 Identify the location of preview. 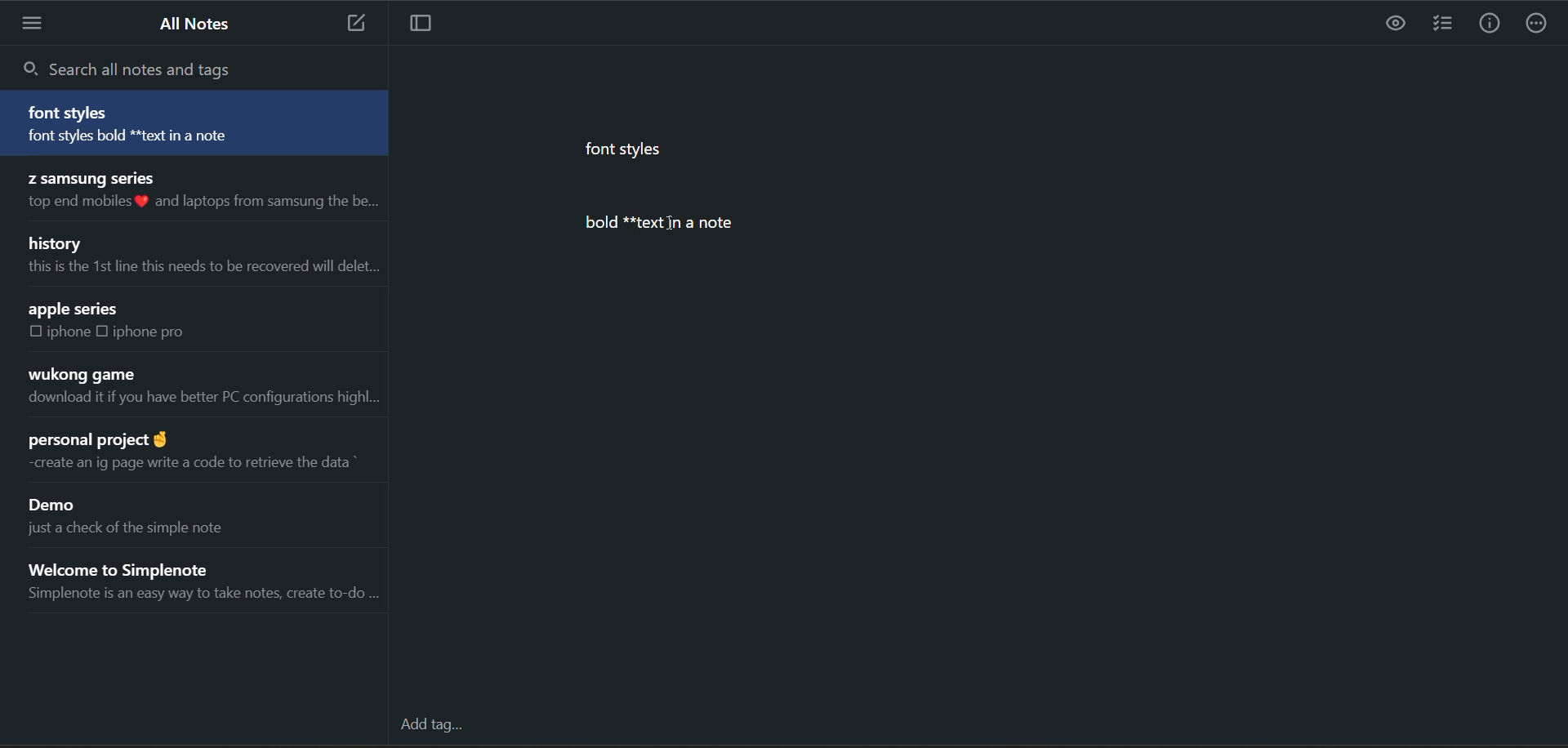
(1397, 24).